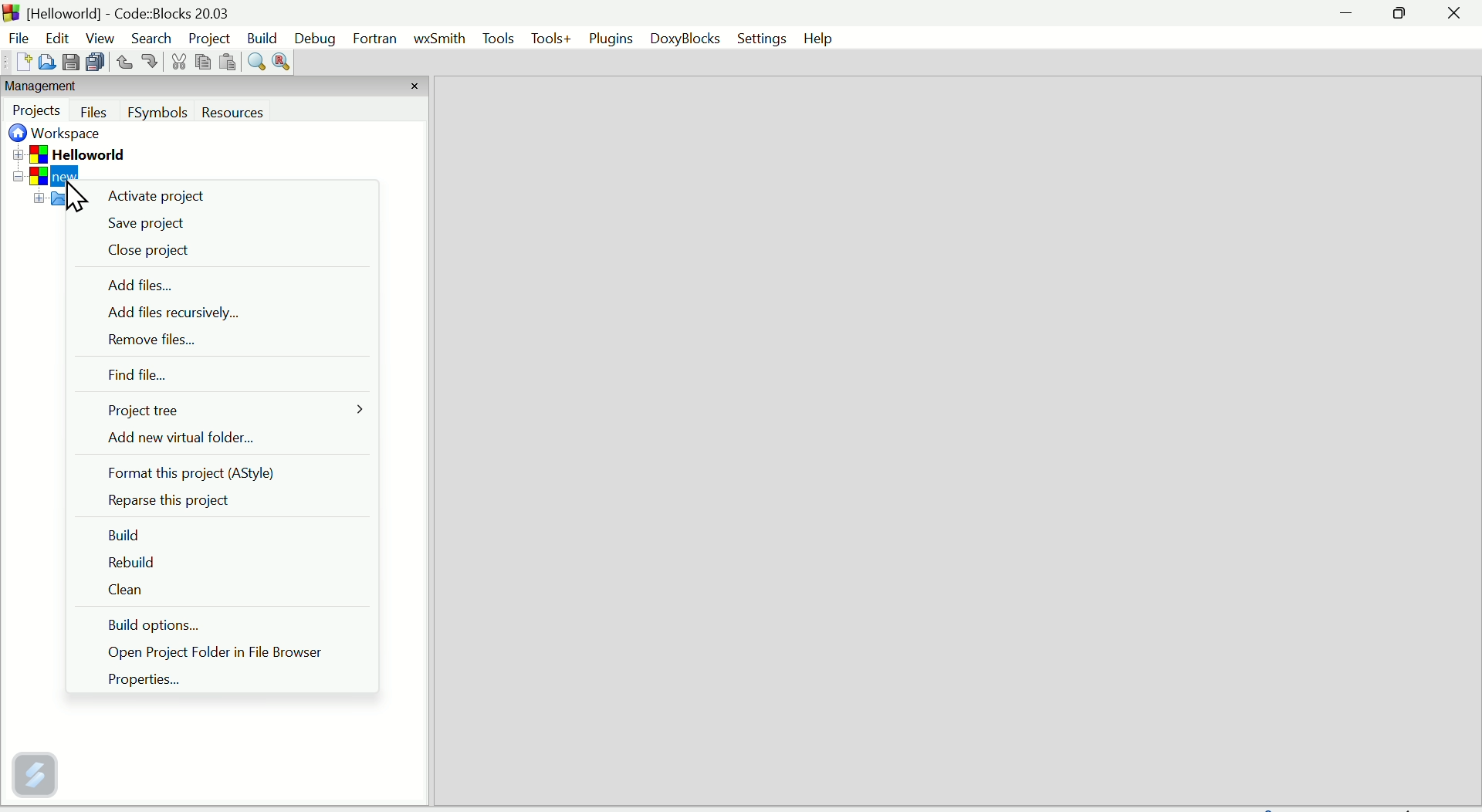 Image resolution: width=1482 pixels, height=812 pixels. Describe the element at coordinates (72, 197) in the screenshot. I see `Cursor` at that location.